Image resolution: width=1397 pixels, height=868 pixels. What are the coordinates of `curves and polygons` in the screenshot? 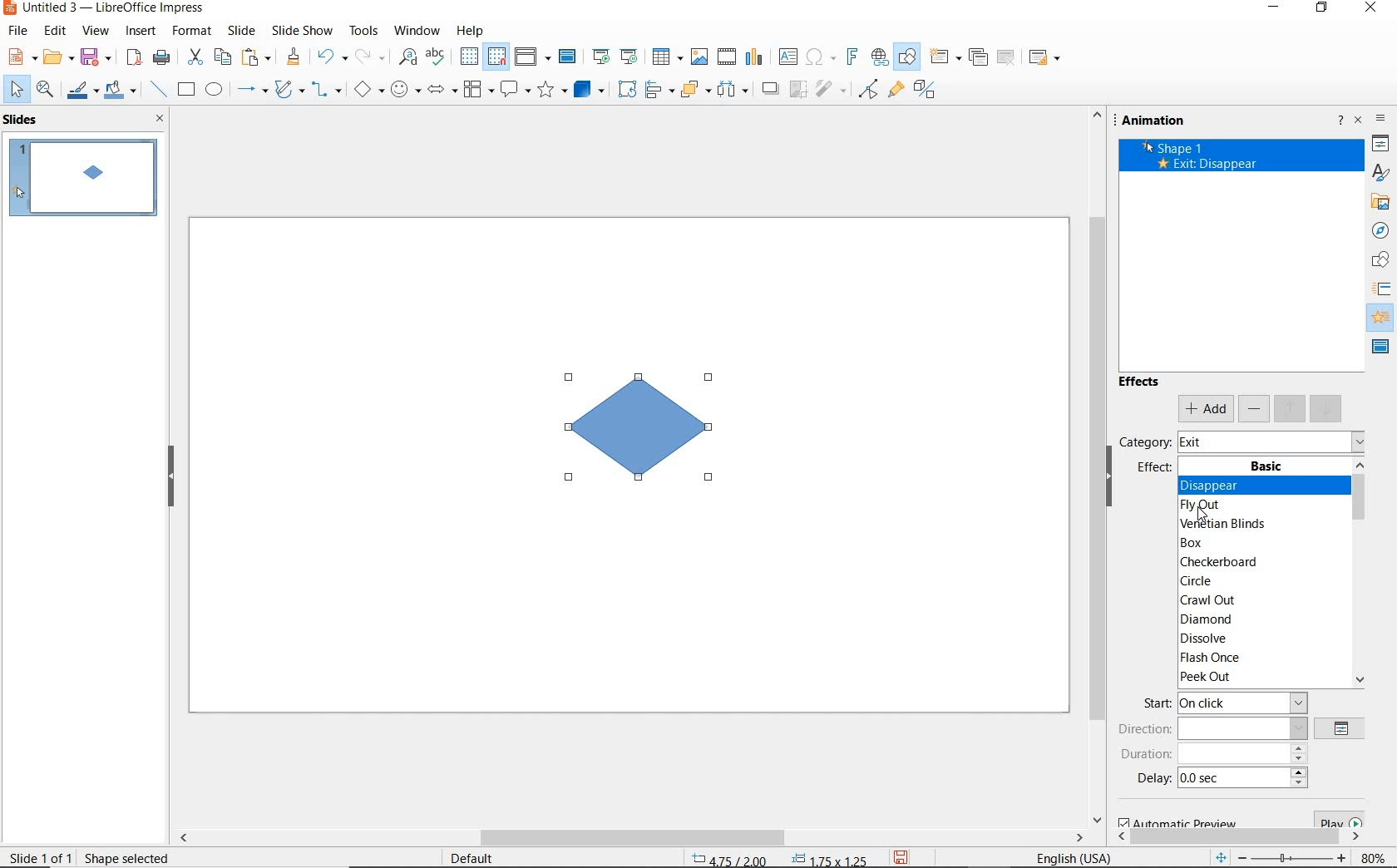 It's located at (289, 91).